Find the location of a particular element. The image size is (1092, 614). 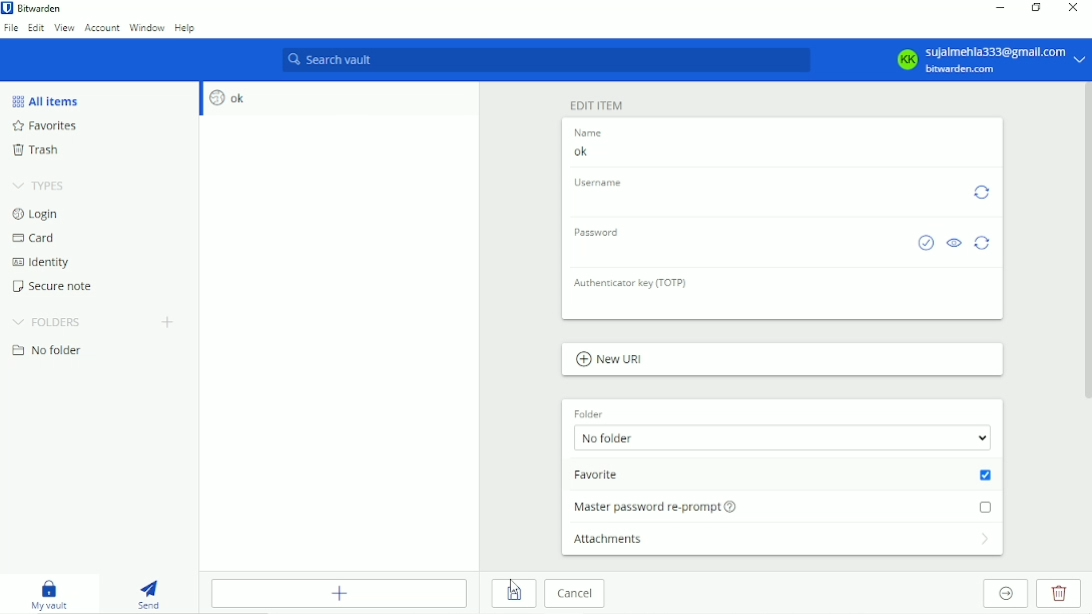

Check if password has been exposed is located at coordinates (926, 244).